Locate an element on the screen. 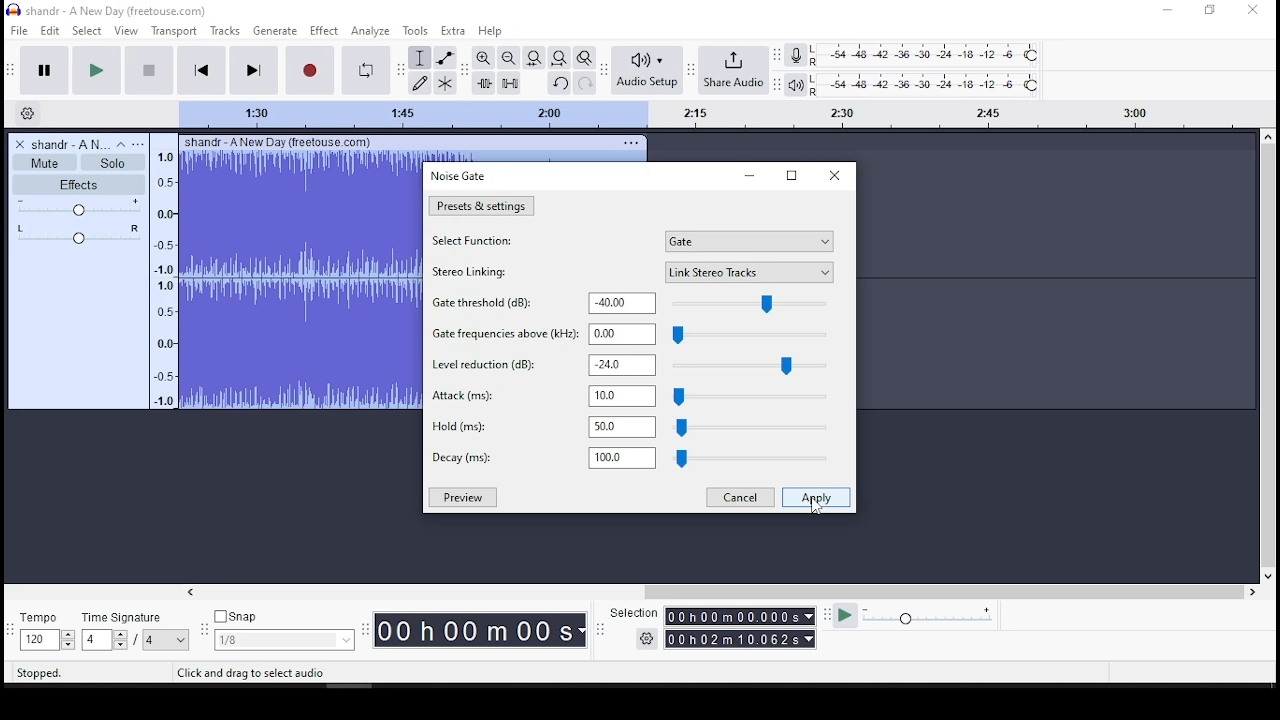 Image resolution: width=1280 pixels, height=720 pixels. attack is located at coordinates (637, 397).